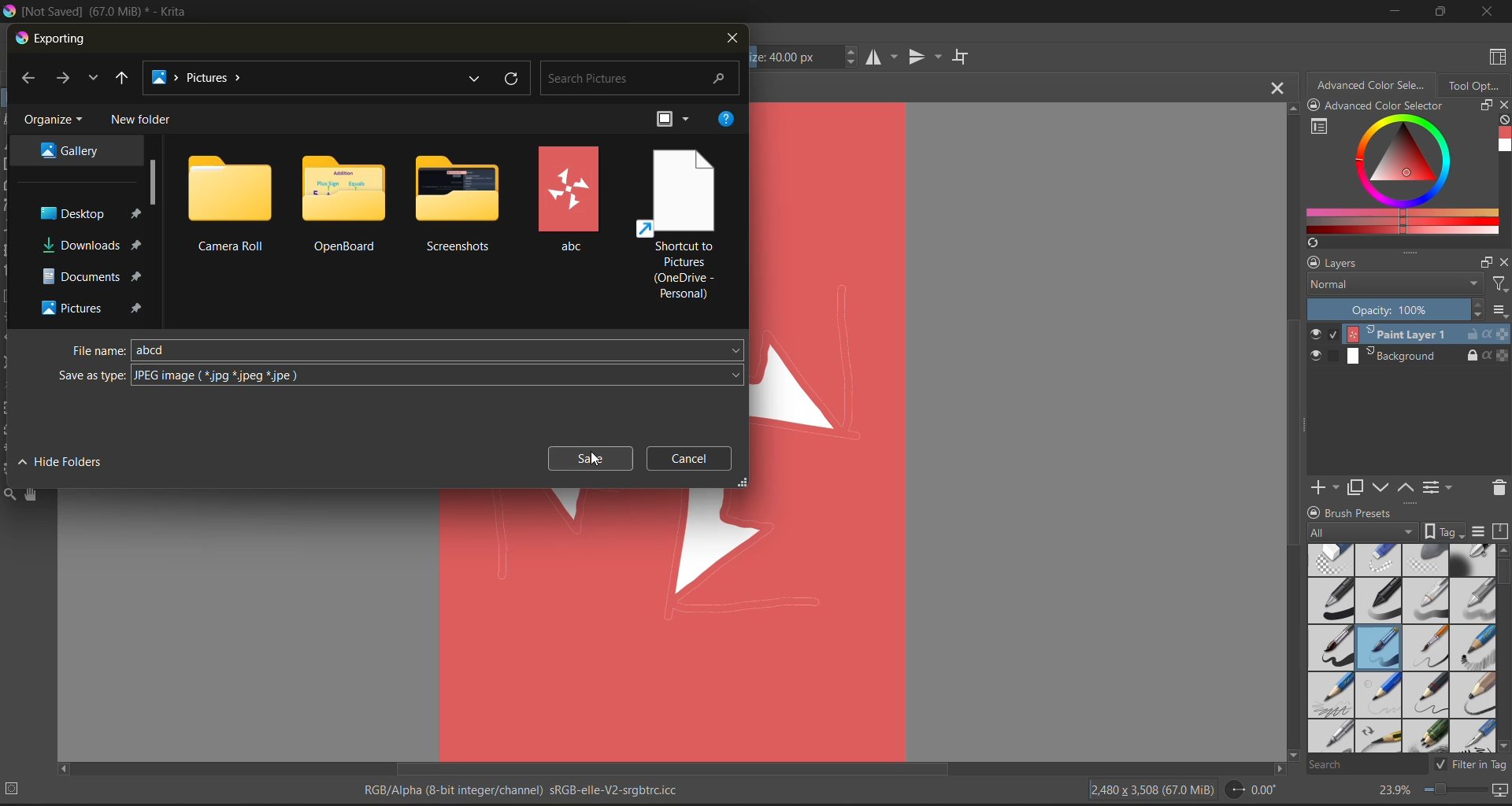 This screenshot has width=1512, height=806. Describe the element at coordinates (479, 79) in the screenshot. I see `recent` at that location.